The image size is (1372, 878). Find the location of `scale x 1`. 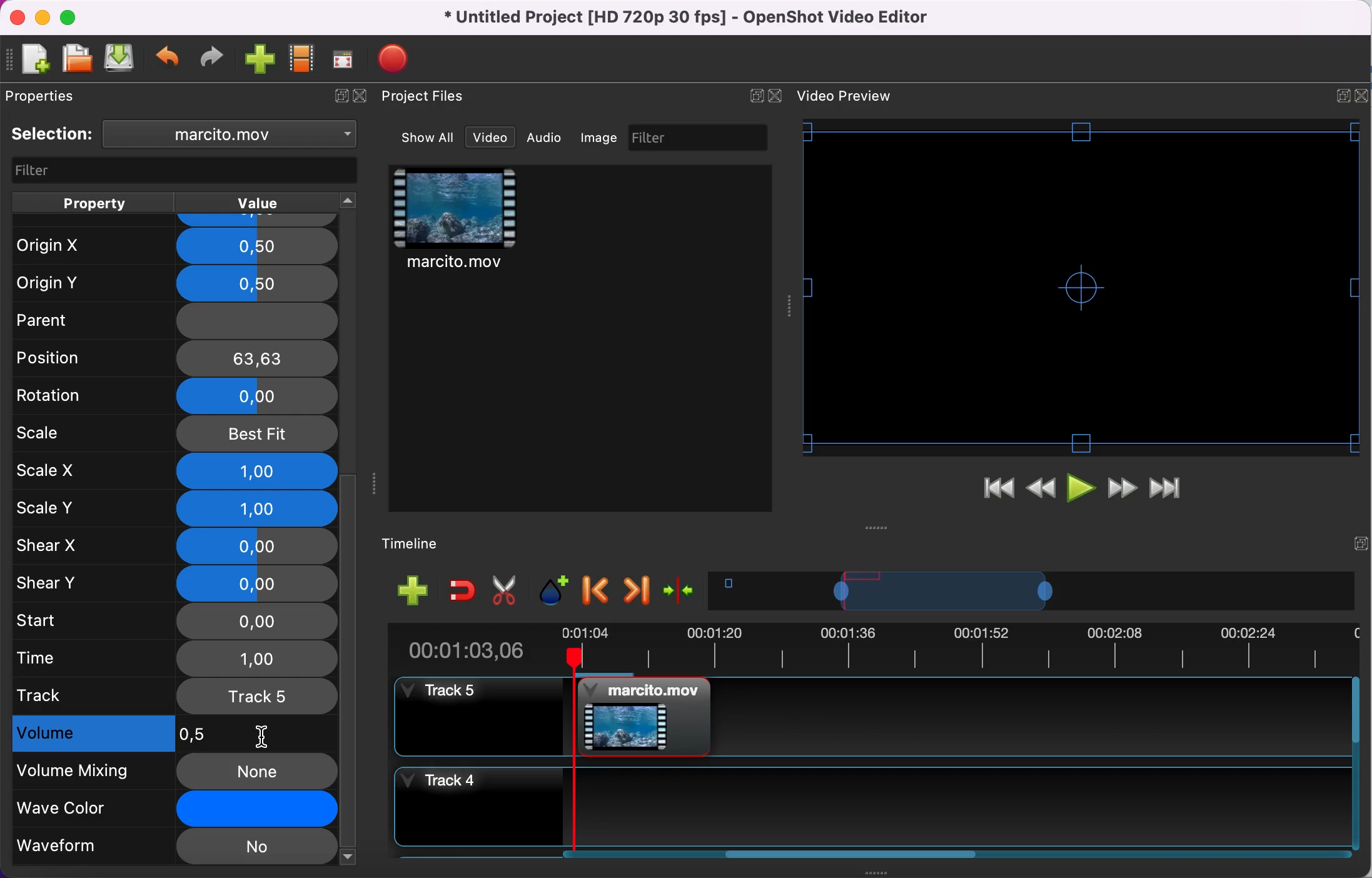

scale x 1 is located at coordinates (176, 472).